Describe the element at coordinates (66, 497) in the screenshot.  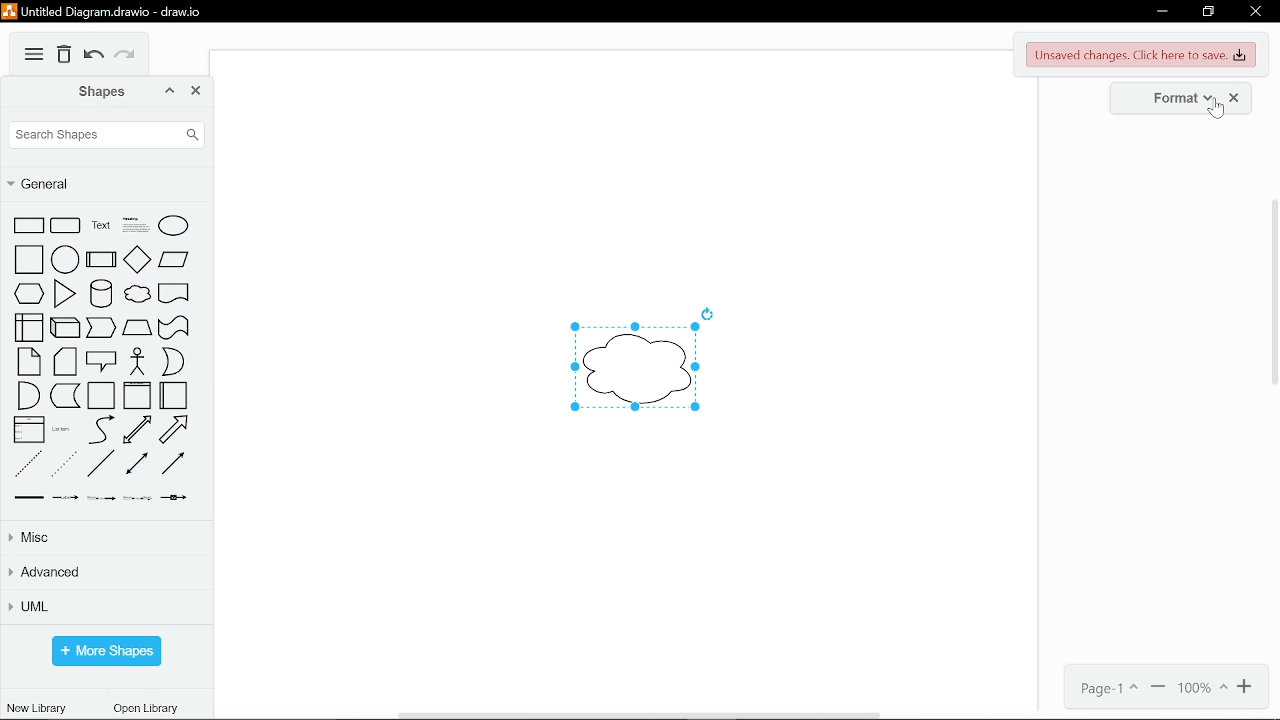
I see `connector with label` at that location.